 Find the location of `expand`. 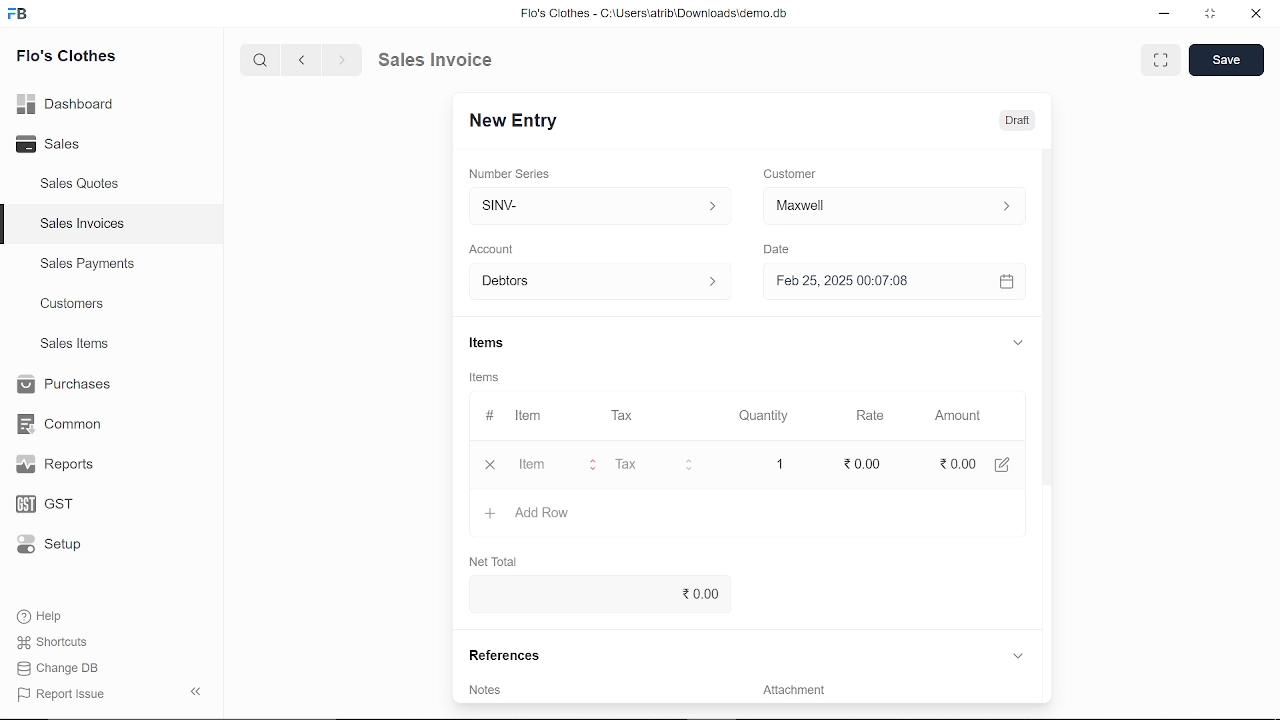

expand is located at coordinates (1162, 60).